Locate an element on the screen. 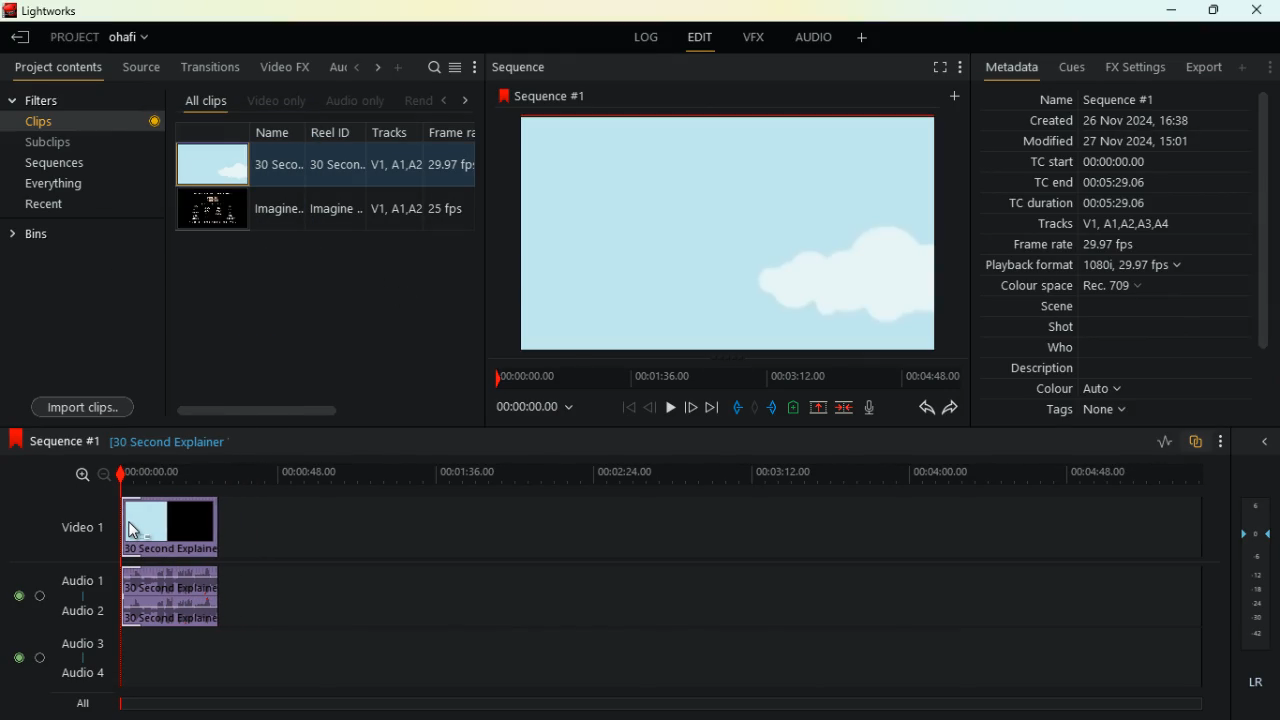 The height and width of the screenshot is (720, 1280). export is located at coordinates (1201, 70).